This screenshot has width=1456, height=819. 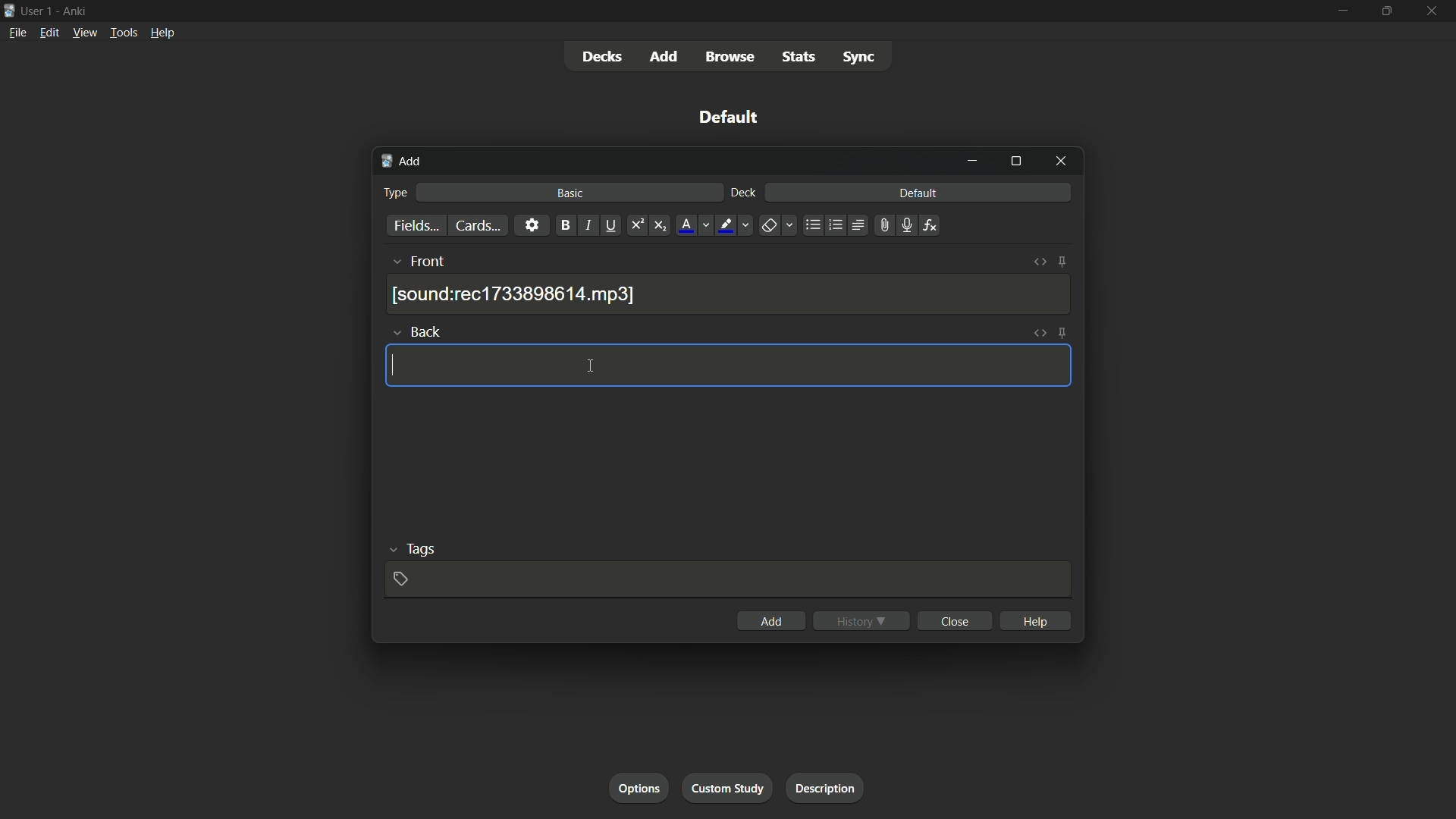 I want to click on superscript, so click(x=636, y=225).